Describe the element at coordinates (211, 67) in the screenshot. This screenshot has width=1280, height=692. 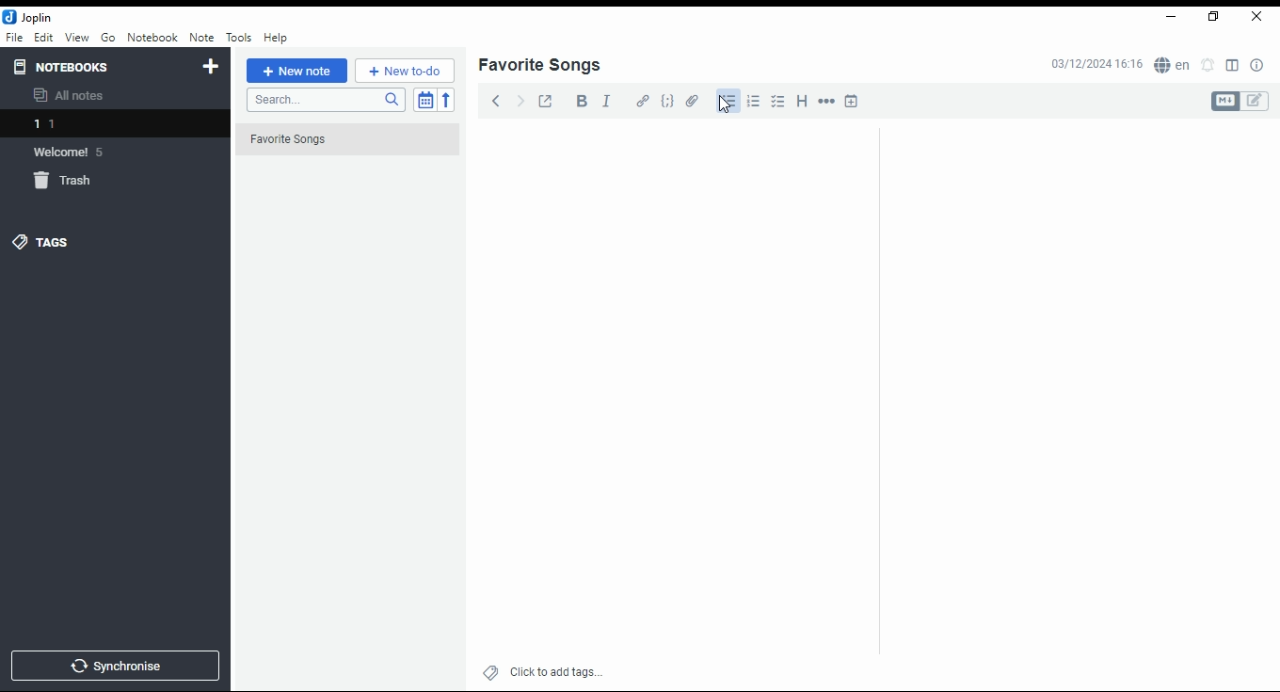
I see `new notebook` at that location.